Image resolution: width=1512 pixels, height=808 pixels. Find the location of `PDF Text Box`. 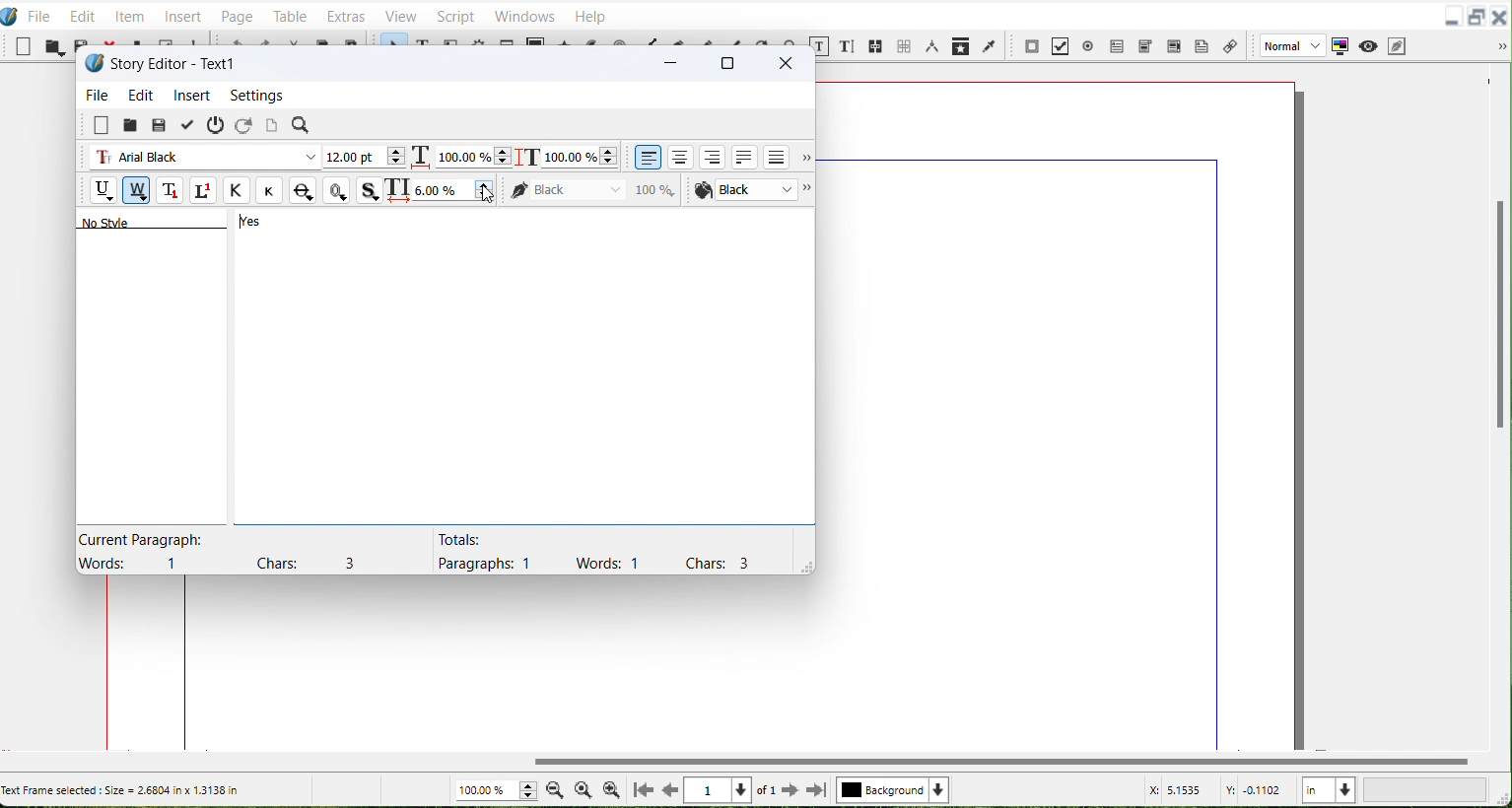

PDF Text Box is located at coordinates (1174, 44).